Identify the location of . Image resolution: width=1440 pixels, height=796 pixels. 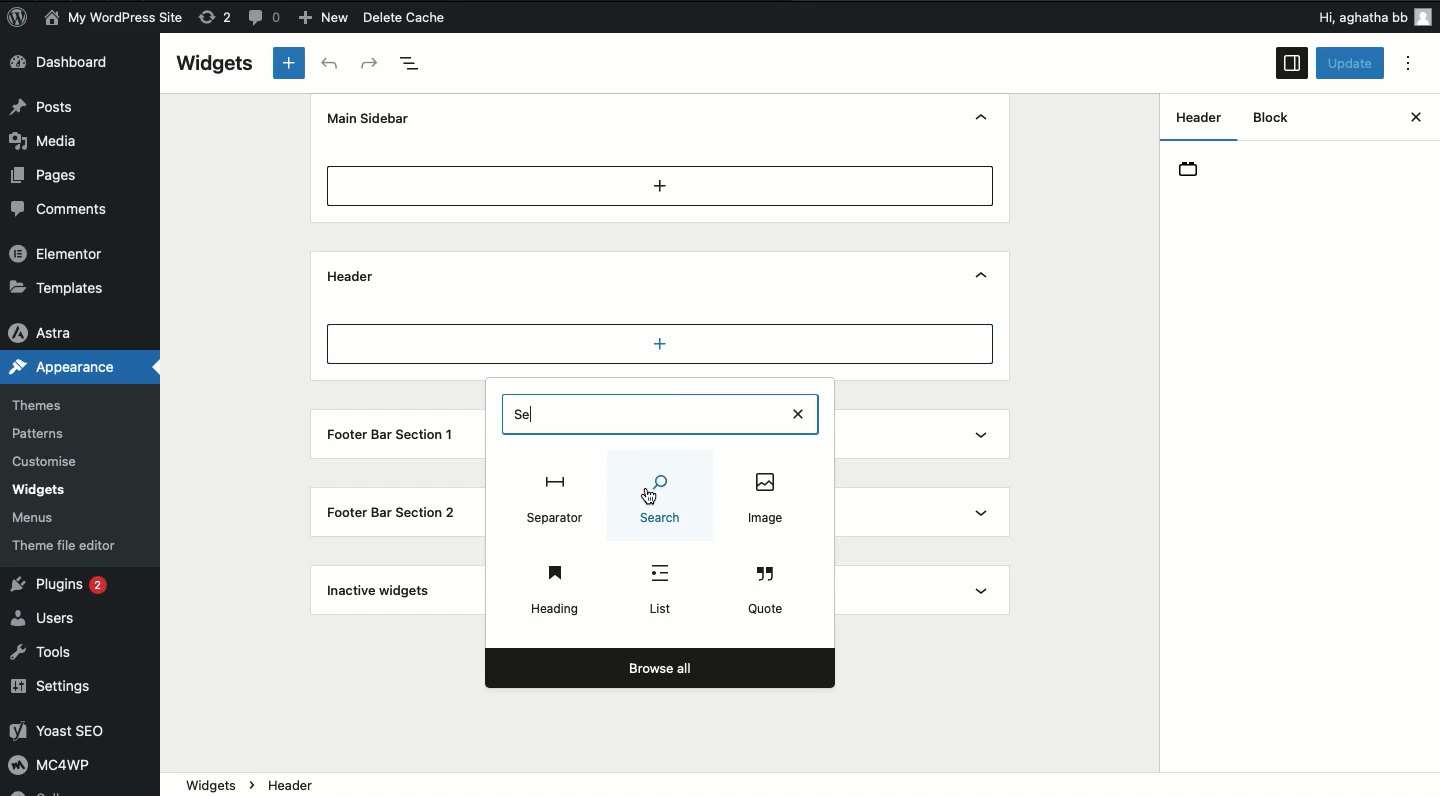
(267, 20).